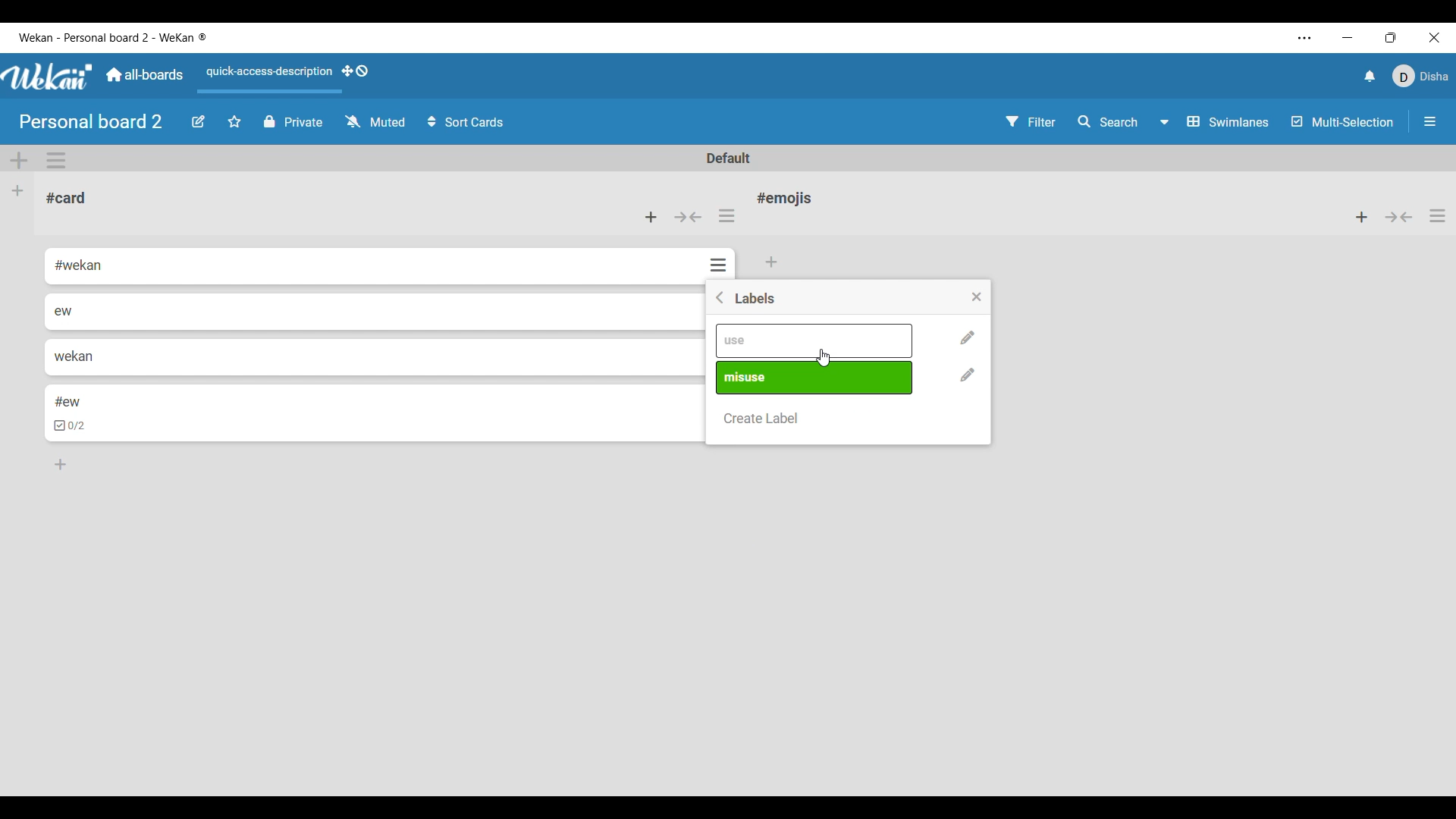  I want to click on Close interface , so click(1435, 37).